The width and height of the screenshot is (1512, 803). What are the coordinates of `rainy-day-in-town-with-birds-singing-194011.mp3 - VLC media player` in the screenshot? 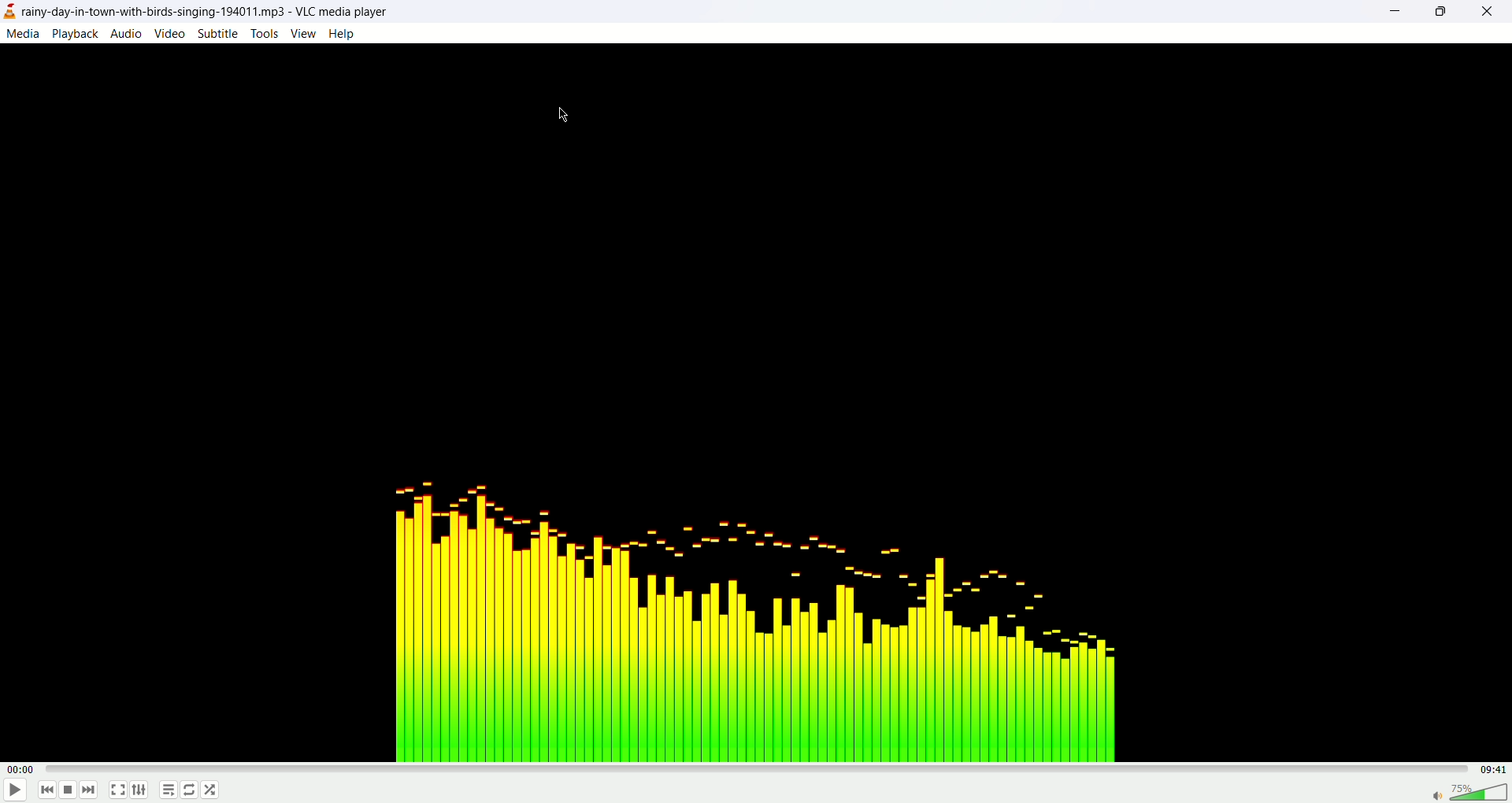 It's located at (215, 10).